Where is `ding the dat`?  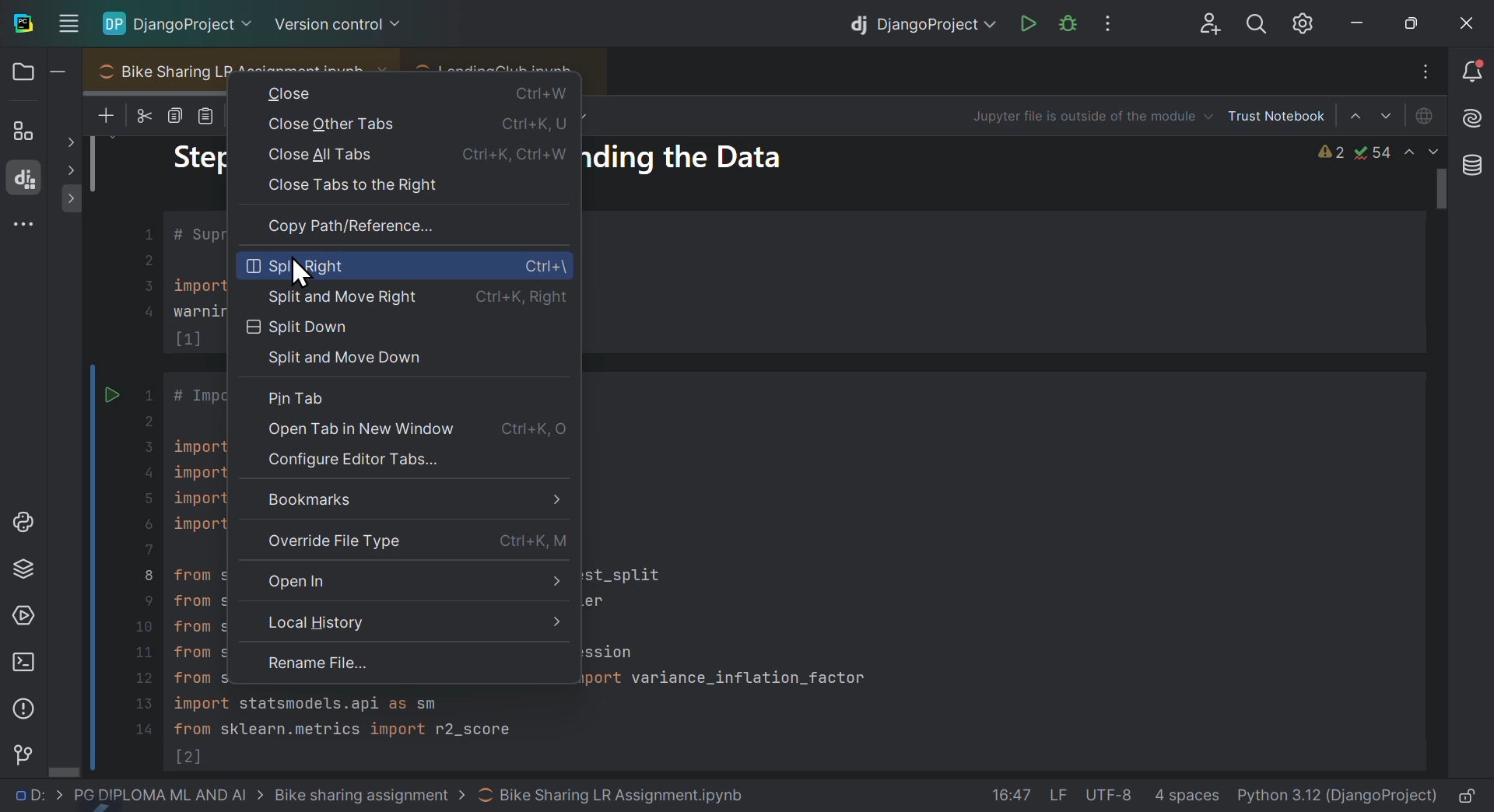 ding the dat is located at coordinates (686, 159).